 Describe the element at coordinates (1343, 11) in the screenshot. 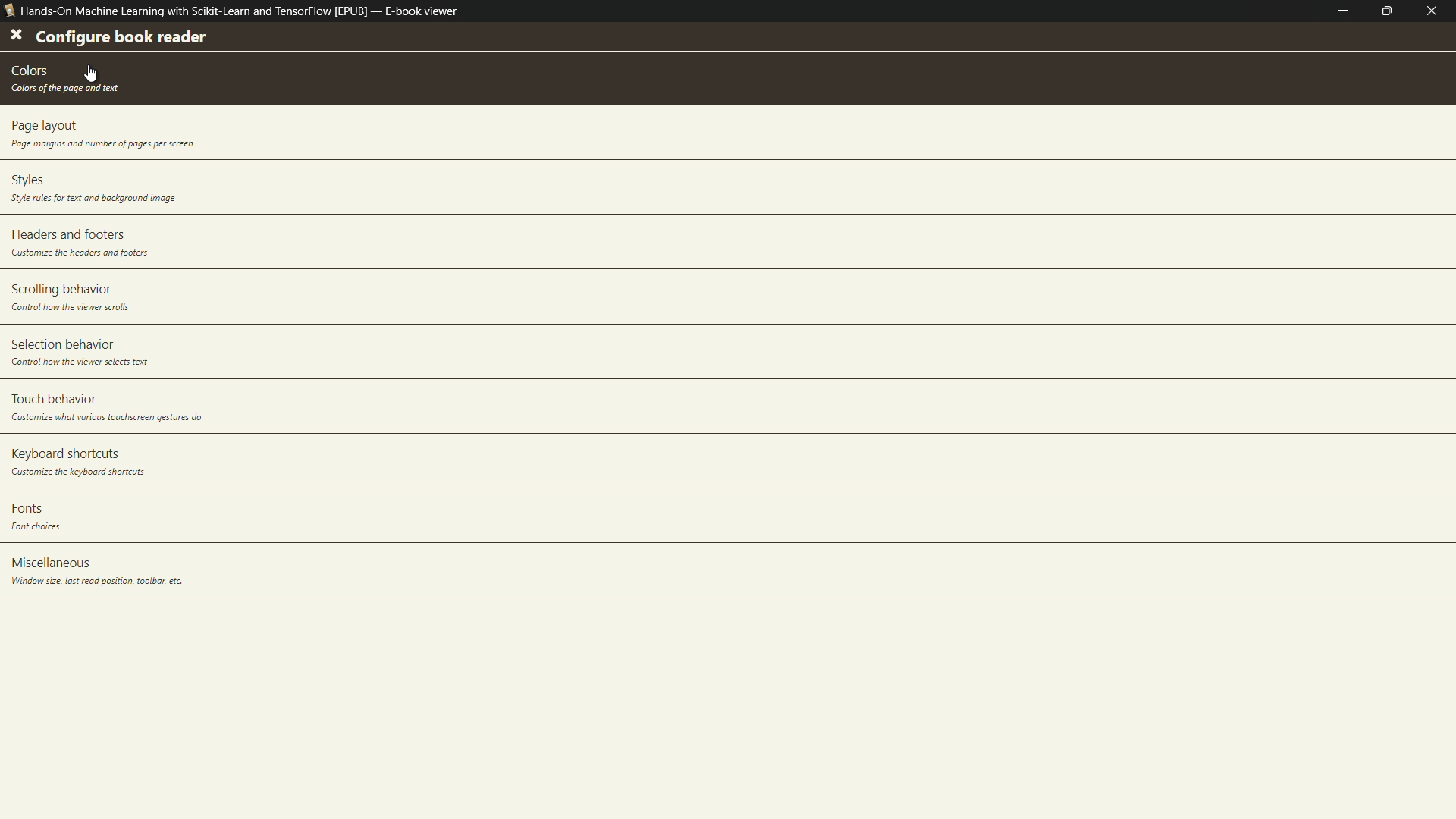

I see `minimize` at that location.